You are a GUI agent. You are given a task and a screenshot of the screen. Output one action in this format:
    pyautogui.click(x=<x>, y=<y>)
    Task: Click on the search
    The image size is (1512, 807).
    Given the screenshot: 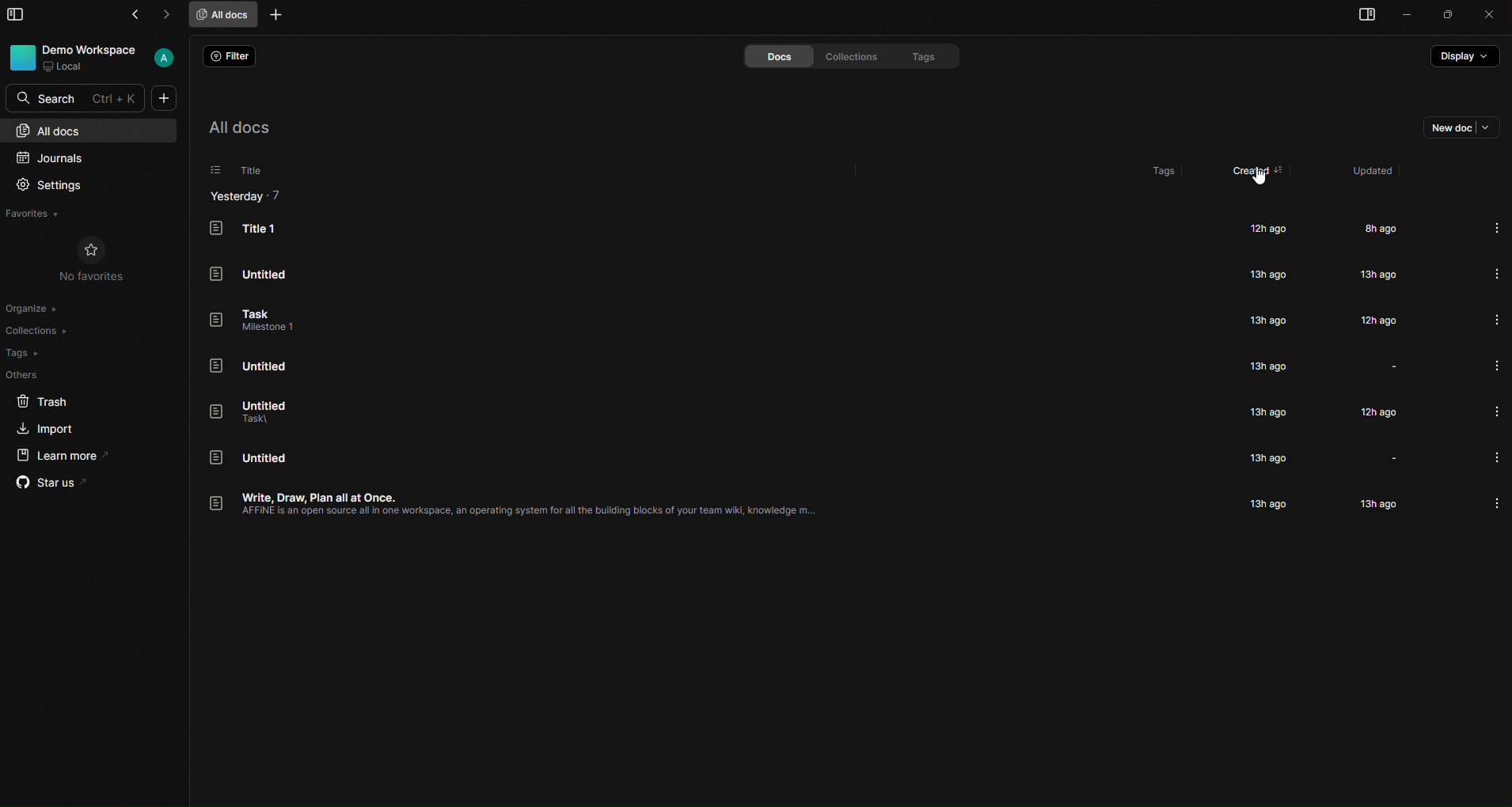 What is the action you would take?
    pyautogui.click(x=74, y=96)
    